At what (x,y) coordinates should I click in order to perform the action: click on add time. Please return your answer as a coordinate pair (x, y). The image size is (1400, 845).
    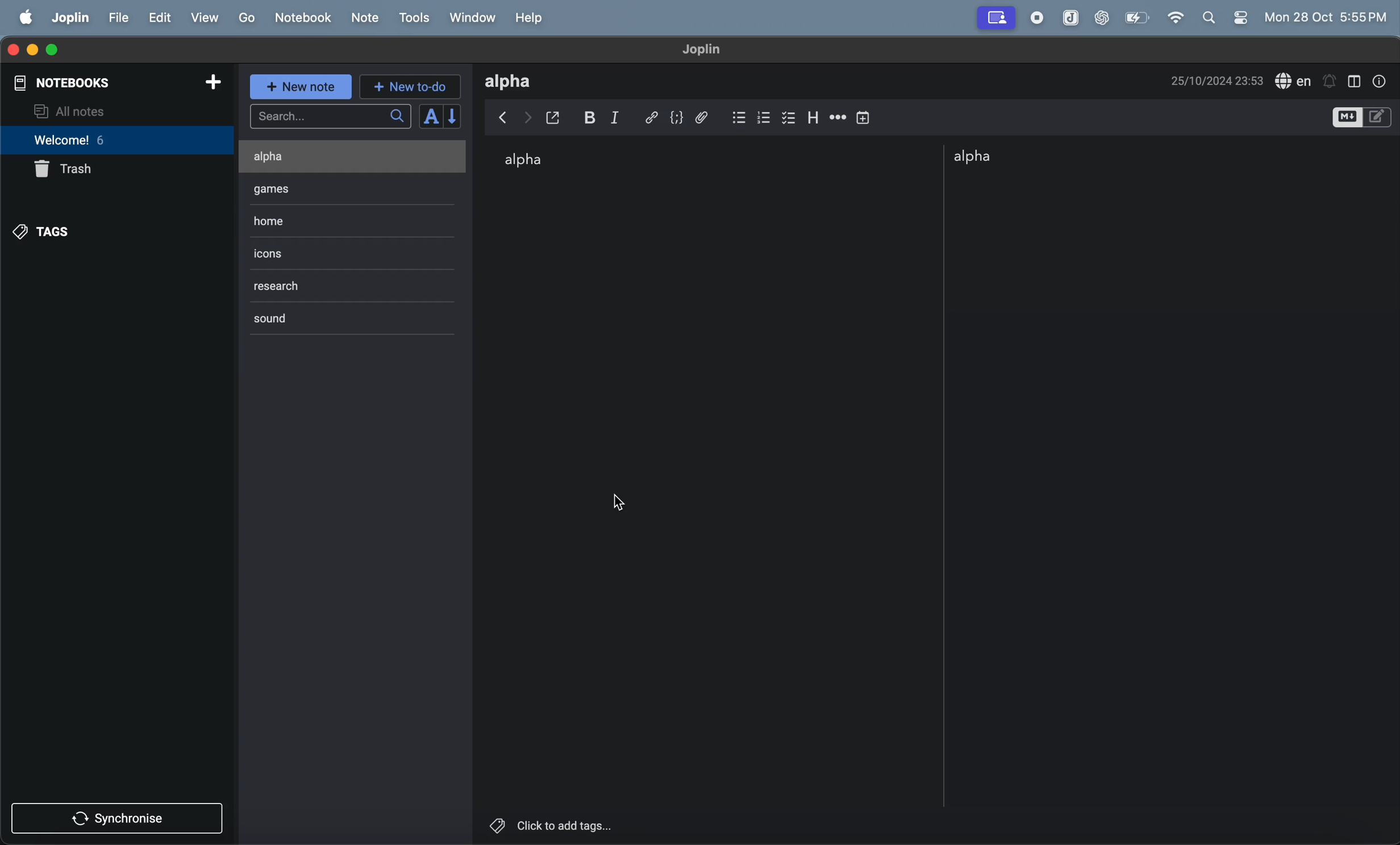
    Looking at the image, I should click on (864, 116).